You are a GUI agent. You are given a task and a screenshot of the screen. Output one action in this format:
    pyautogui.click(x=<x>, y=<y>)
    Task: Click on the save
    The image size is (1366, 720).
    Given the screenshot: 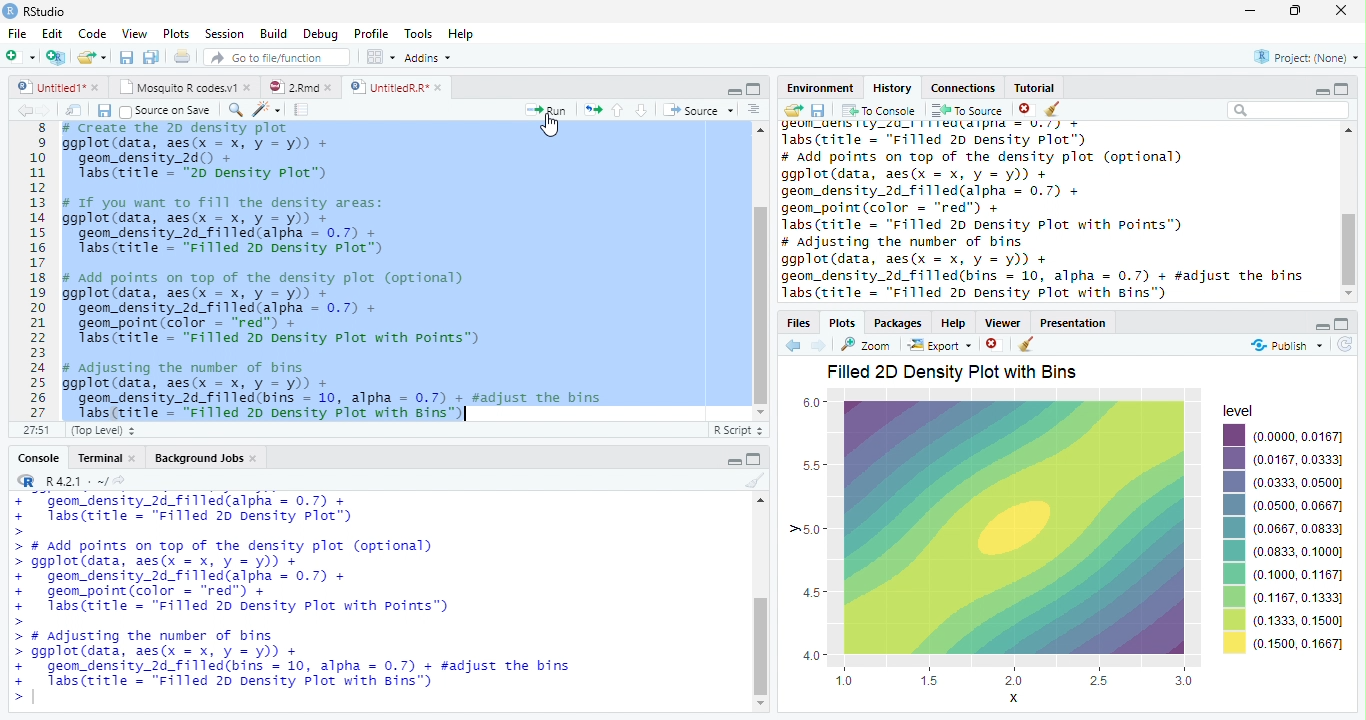 What is the action you would take?
    pyautogui.click(x=104, y=111)
    